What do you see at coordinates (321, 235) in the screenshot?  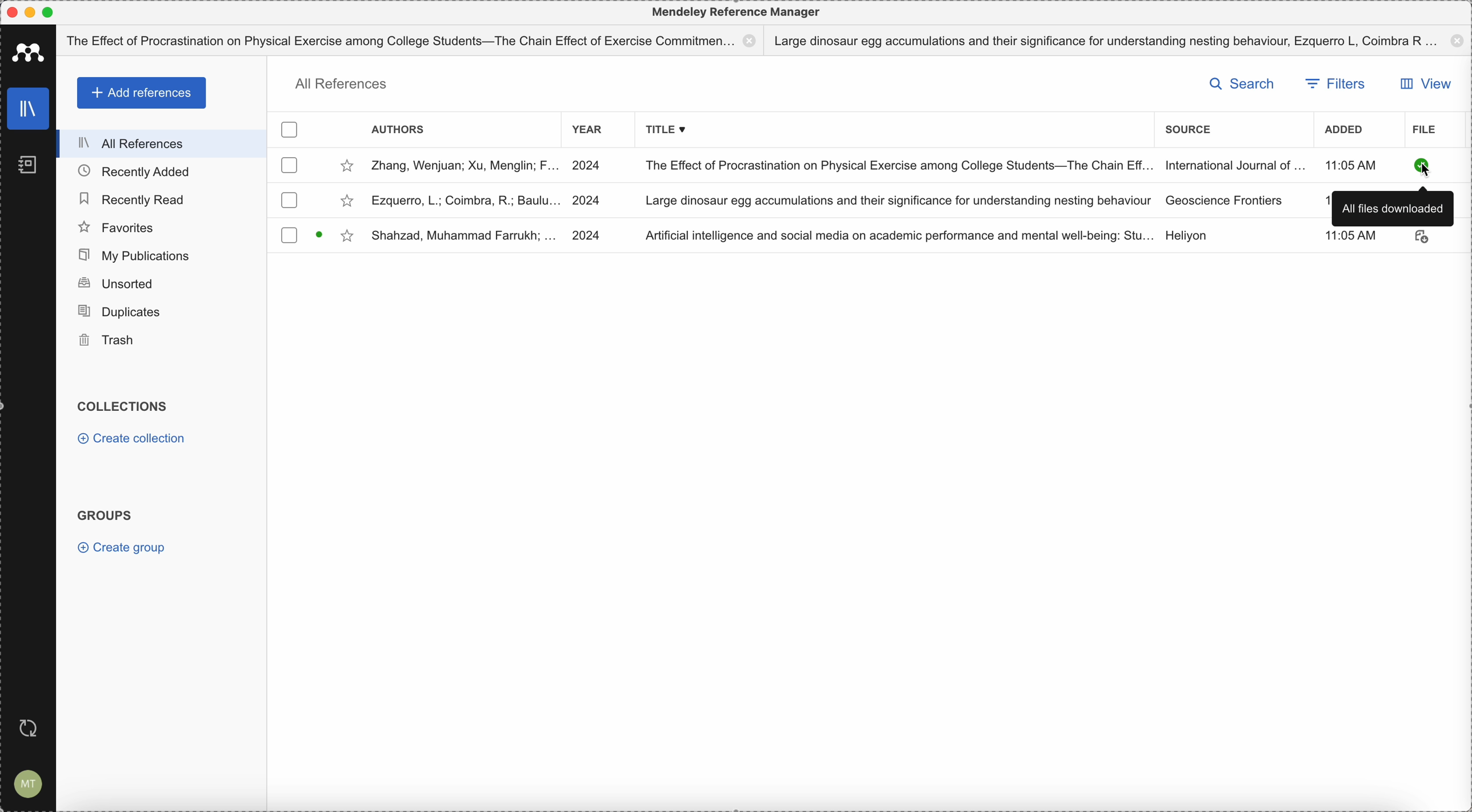 I see `Read/unread status` at bounding box center [321, 235].